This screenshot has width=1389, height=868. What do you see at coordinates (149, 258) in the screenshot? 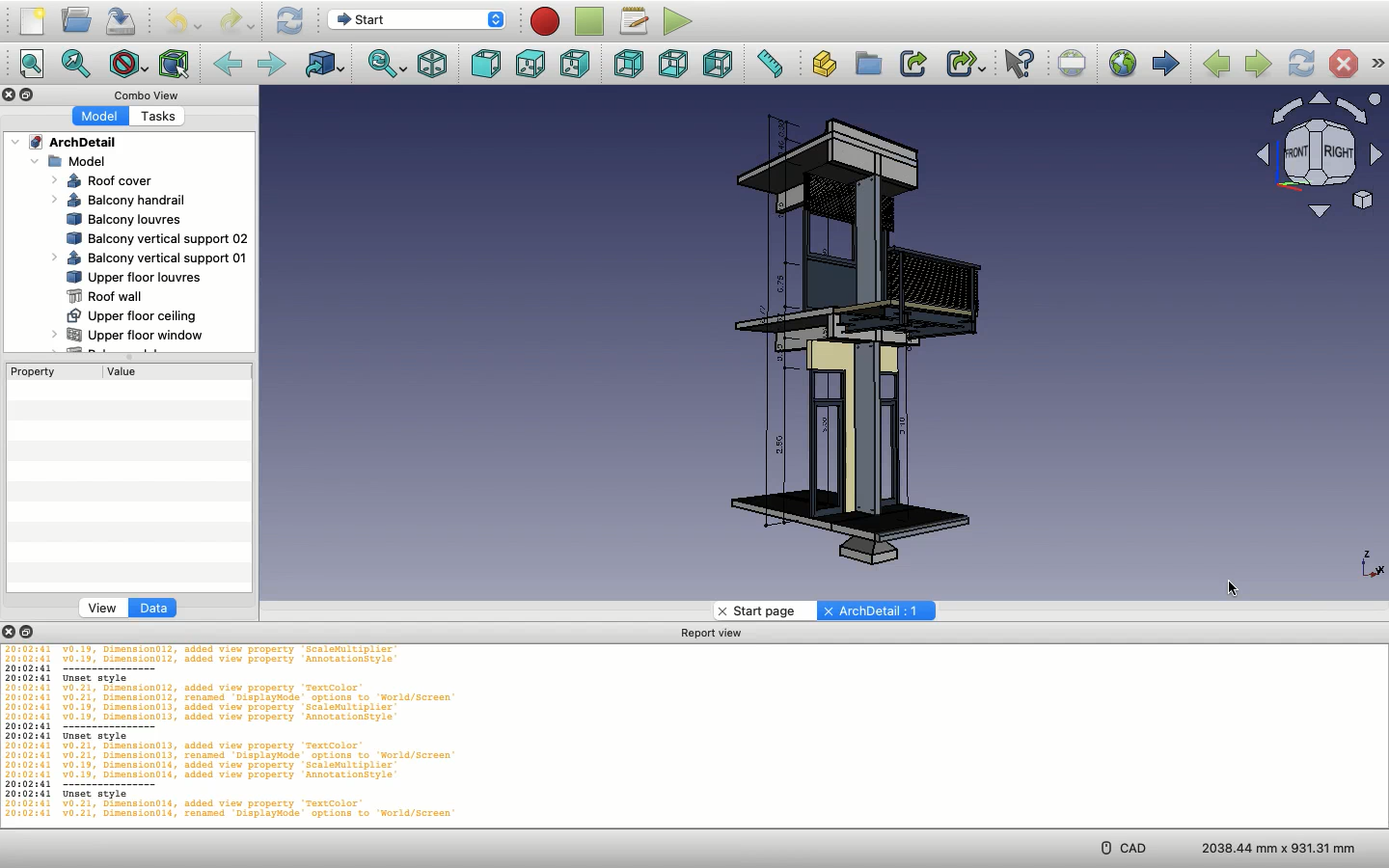
I see `Balcony vertical support 01` at bounding box center [149, 258].